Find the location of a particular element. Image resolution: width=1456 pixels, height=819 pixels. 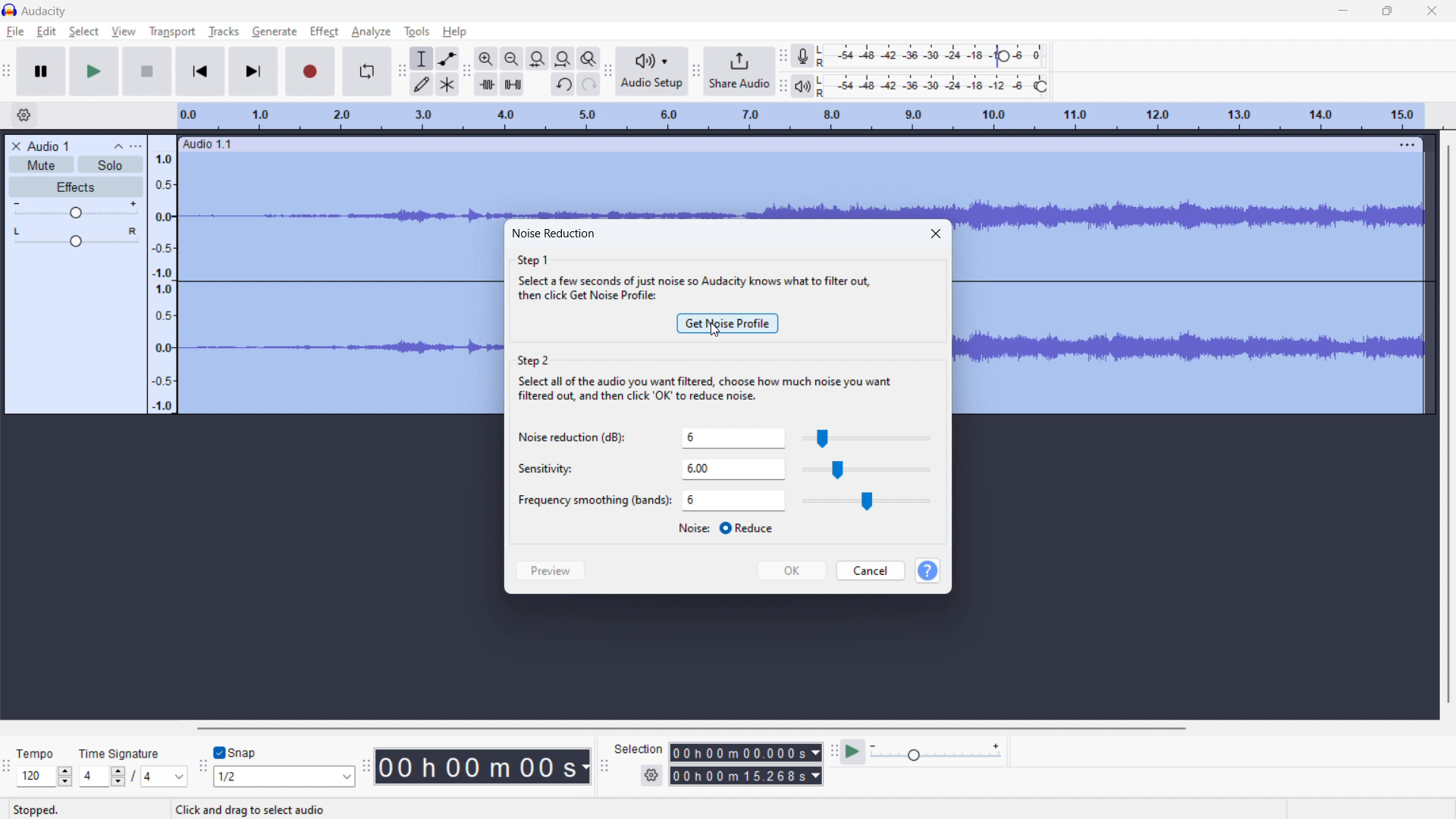

select smoothing band is located at coordinates (734, 500).